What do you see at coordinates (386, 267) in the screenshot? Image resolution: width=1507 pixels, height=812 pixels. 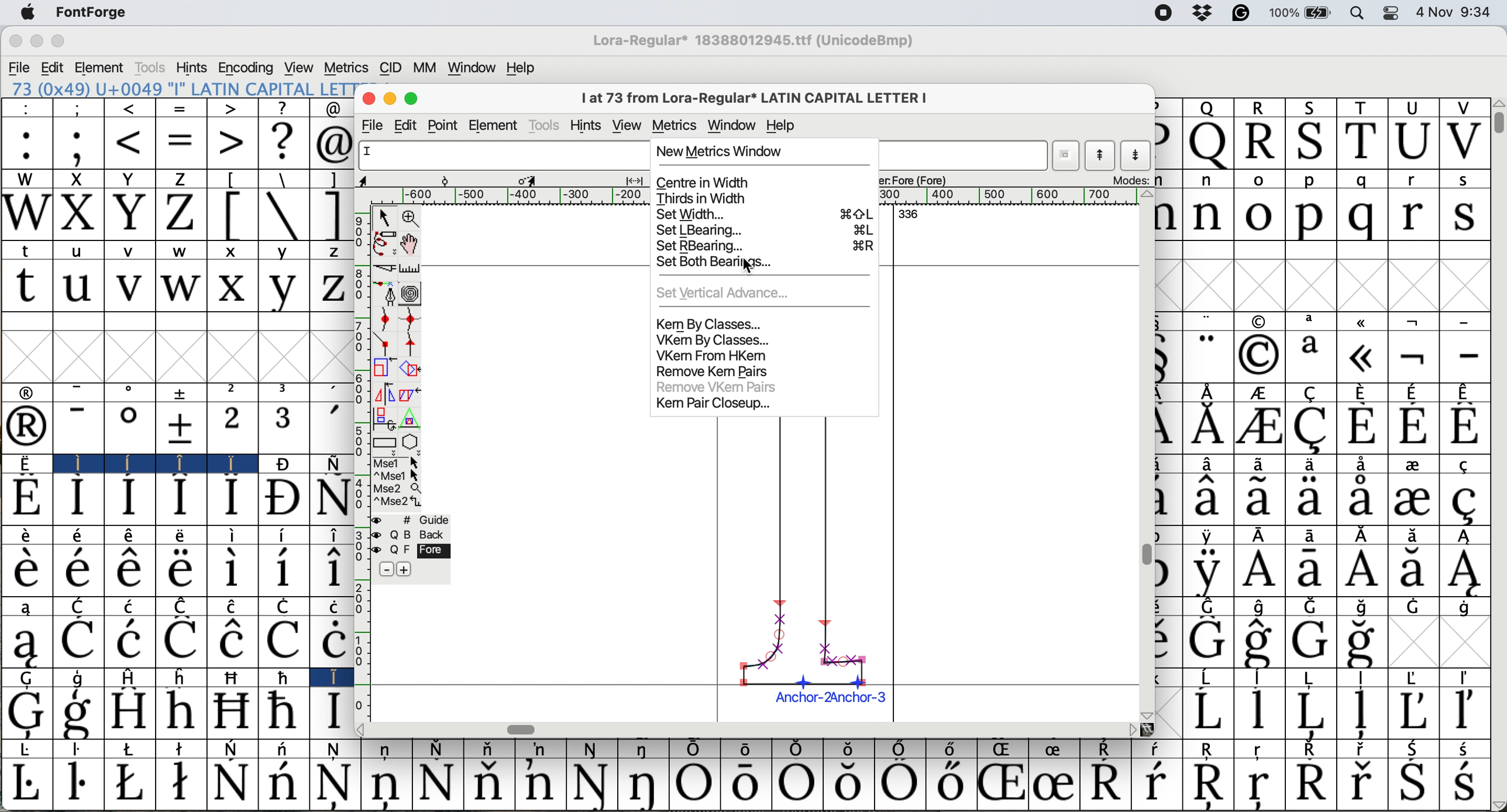 I see `cut splines in two` at bounding box center [386, 267].